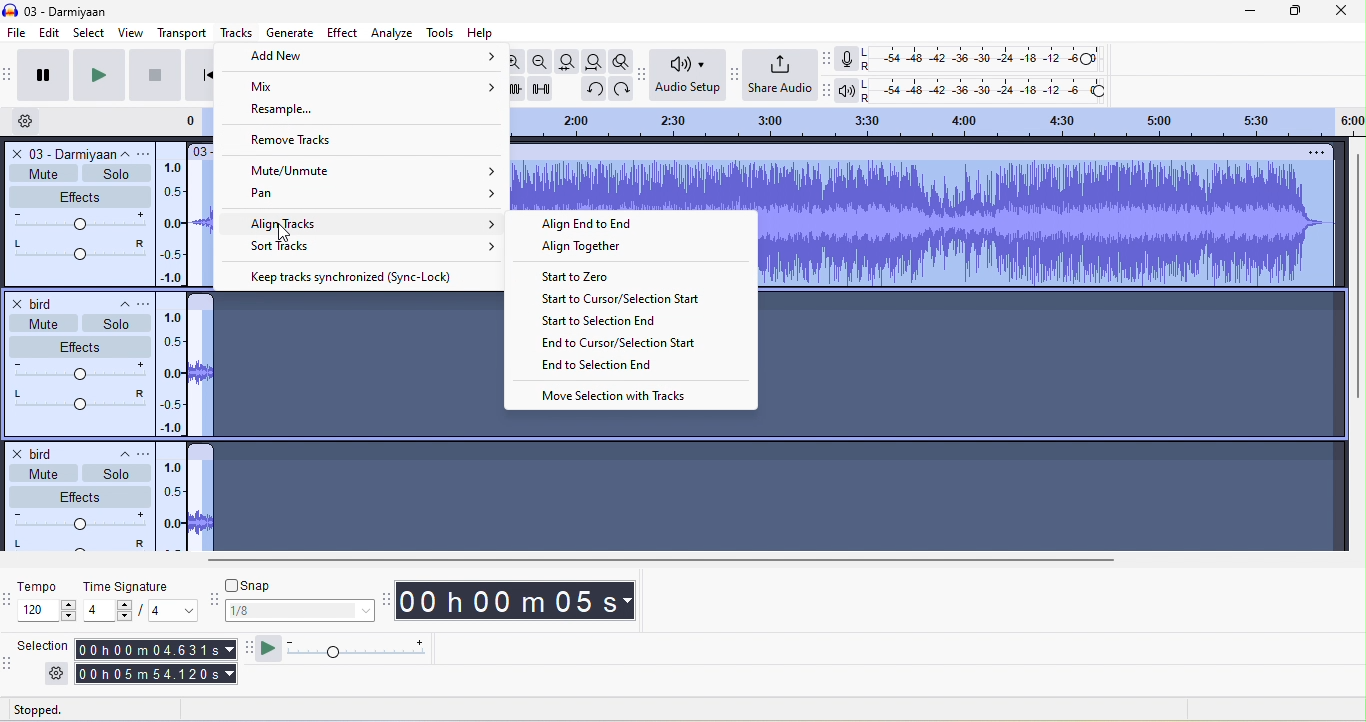 The height and width of the screenshot is (722, 1366). I want to click on zoom in, so click(514, 61).